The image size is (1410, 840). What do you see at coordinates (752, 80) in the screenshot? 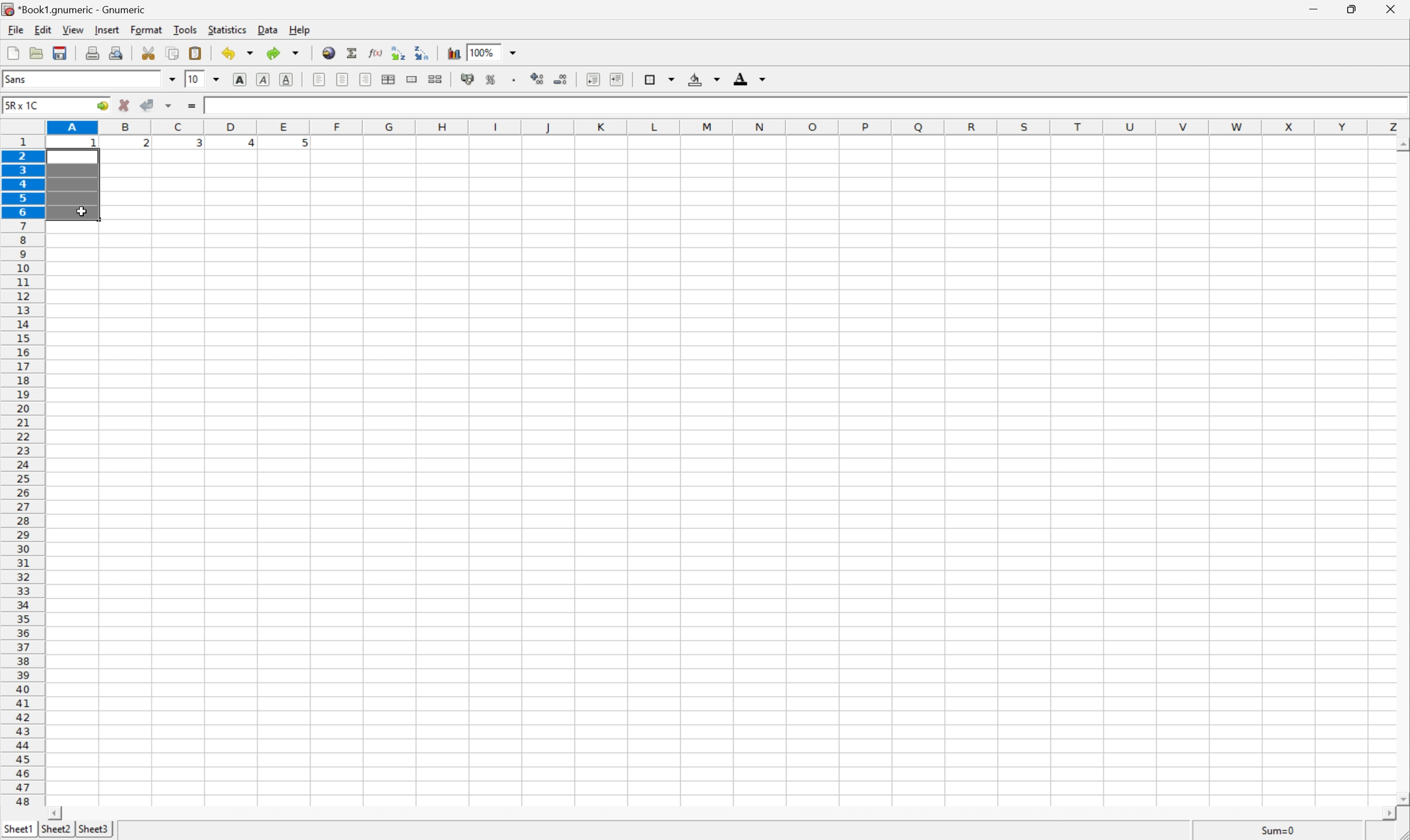
I see `foreground` at bounding box center [752, 80].